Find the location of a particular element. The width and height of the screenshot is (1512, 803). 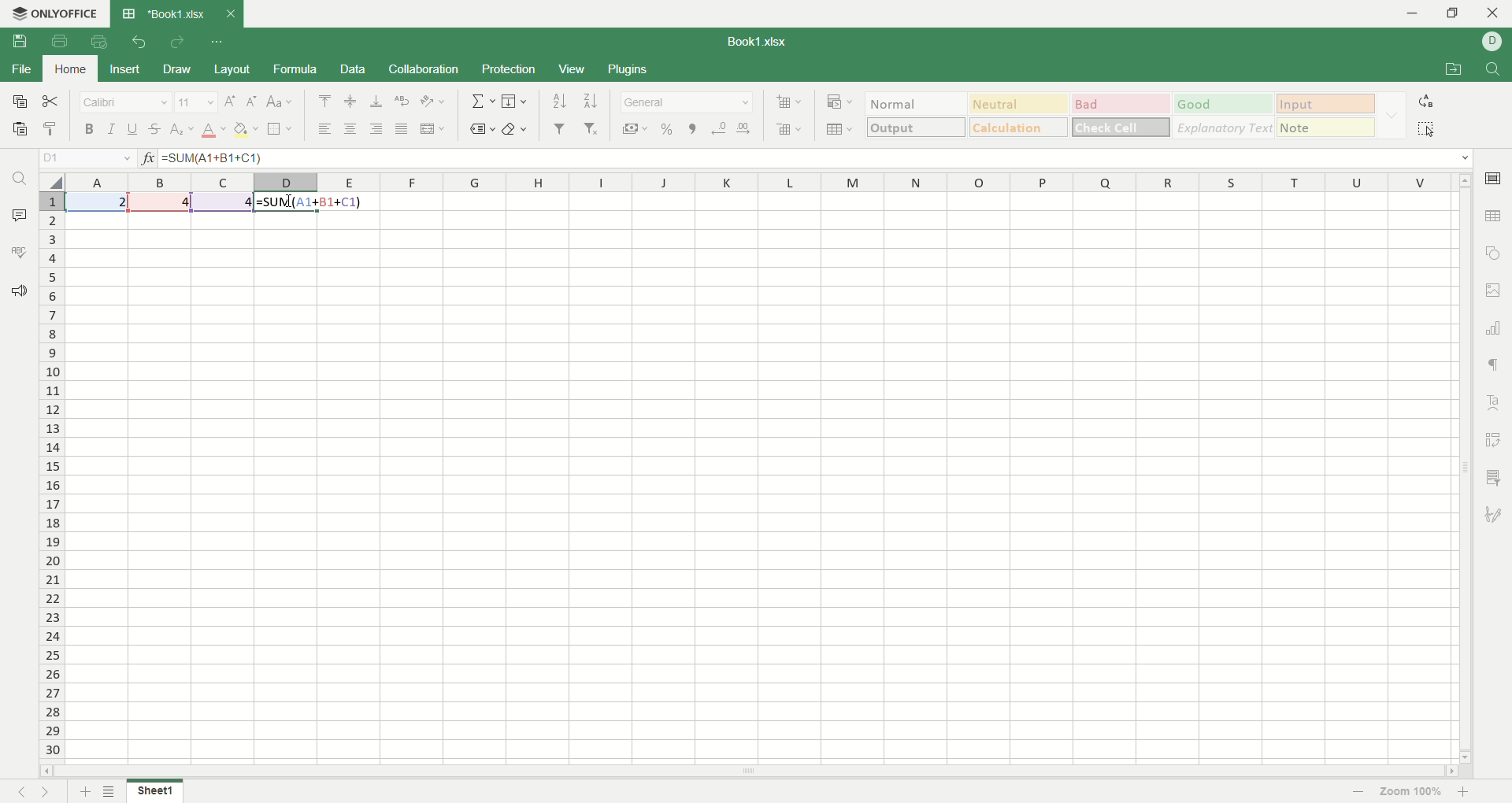

input is located at coordinates (1325, 102).